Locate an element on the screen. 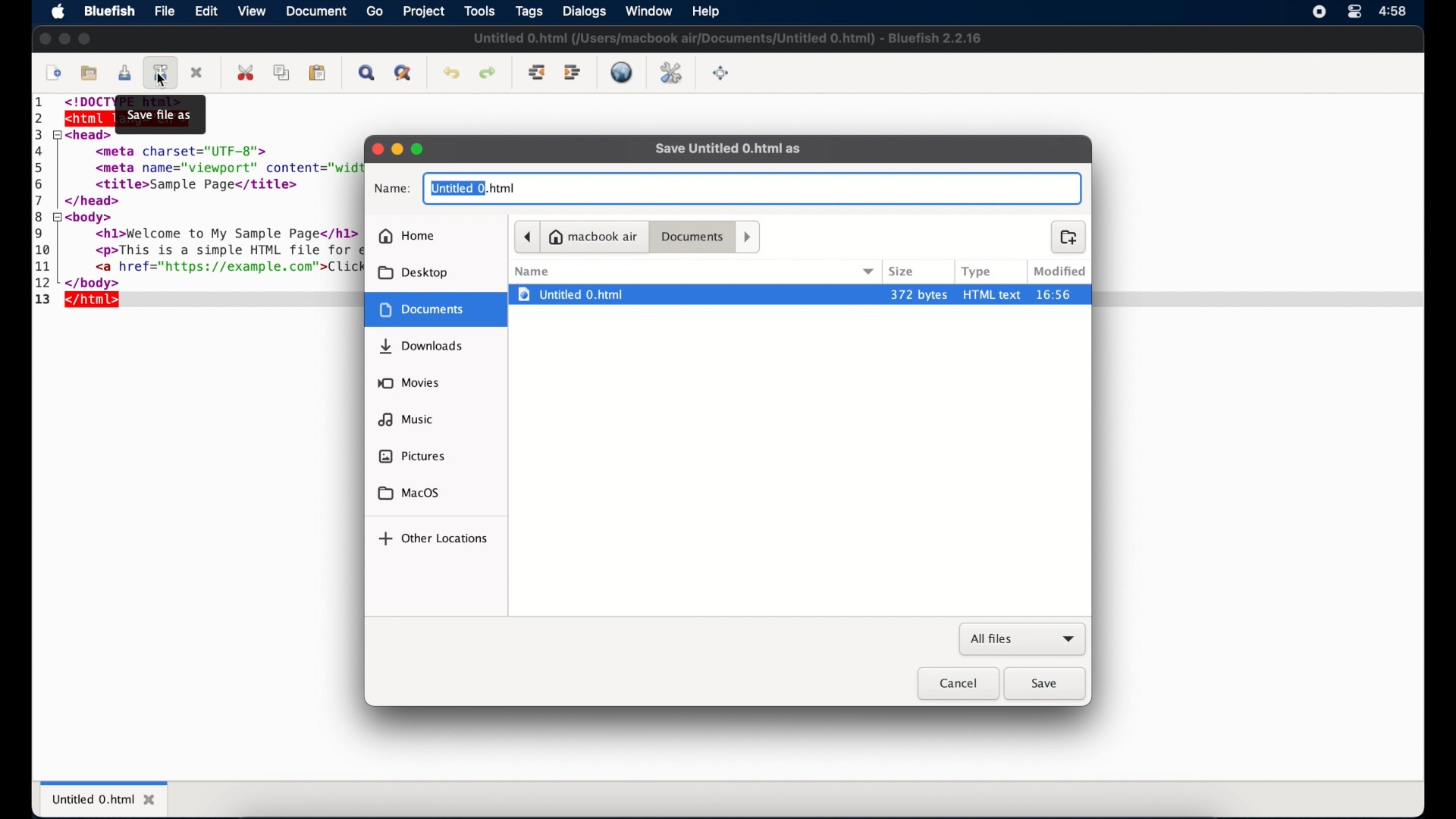 The width and height of the screenshot is (1456, 819). 7 is located at coordinates (42, 199).